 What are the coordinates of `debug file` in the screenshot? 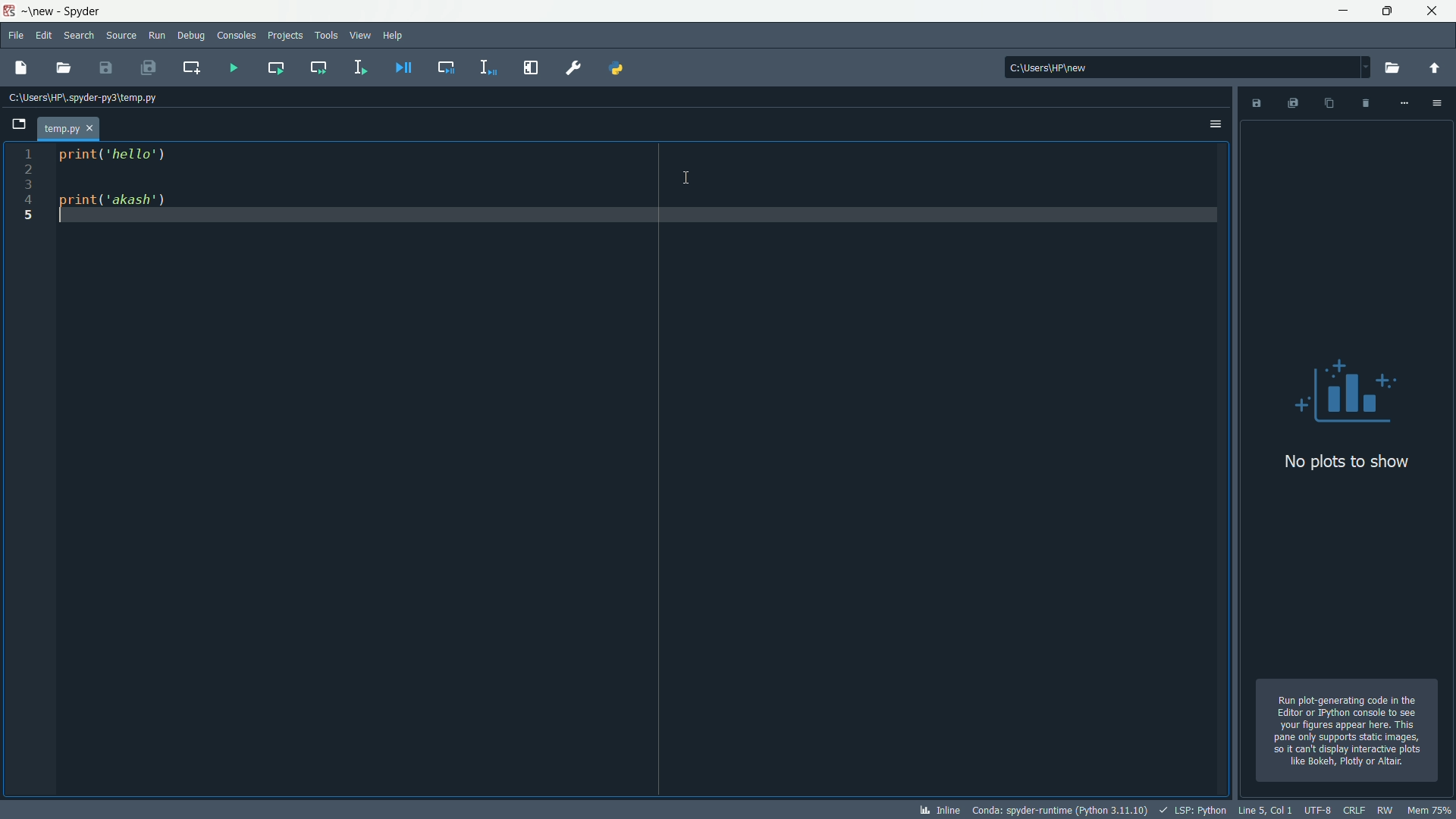 It's located at (401, 69).